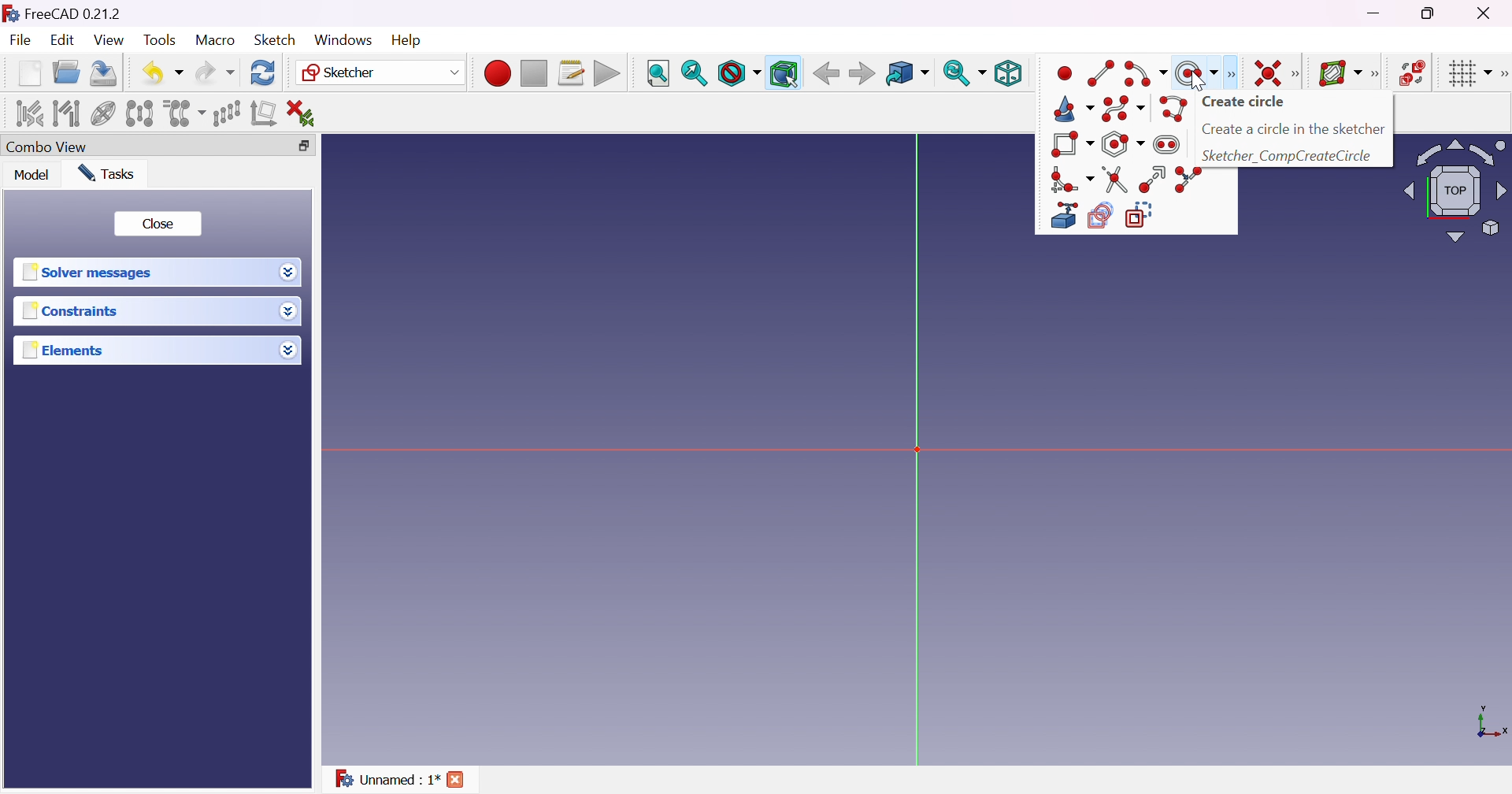 This screenshot has height=794, width=1512. What do you see at coordinates (1374, 13) in the screenshot?
I see `Minimize` at bounding box center [1374, 13].